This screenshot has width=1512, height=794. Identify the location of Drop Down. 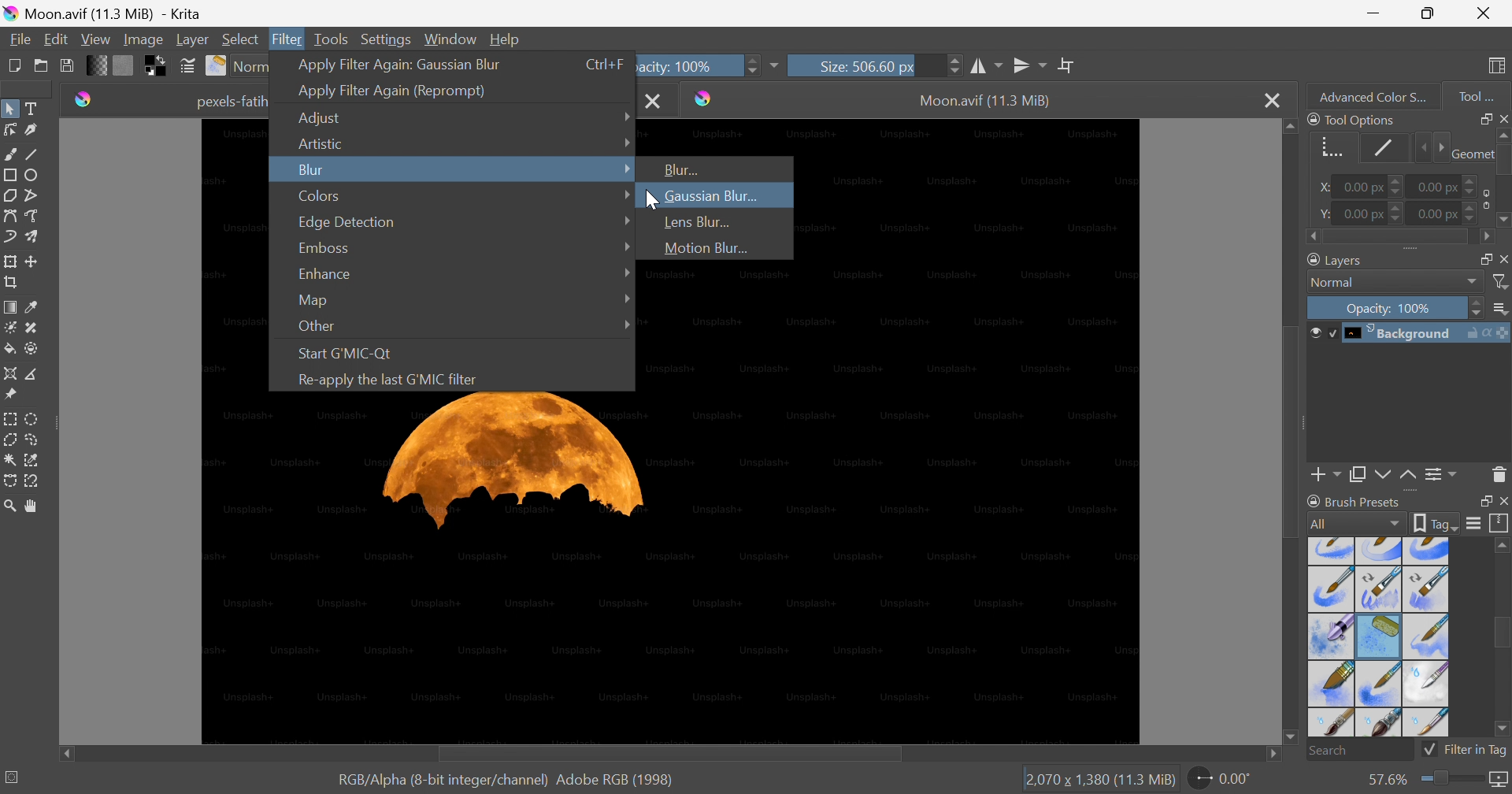
(626, 297).